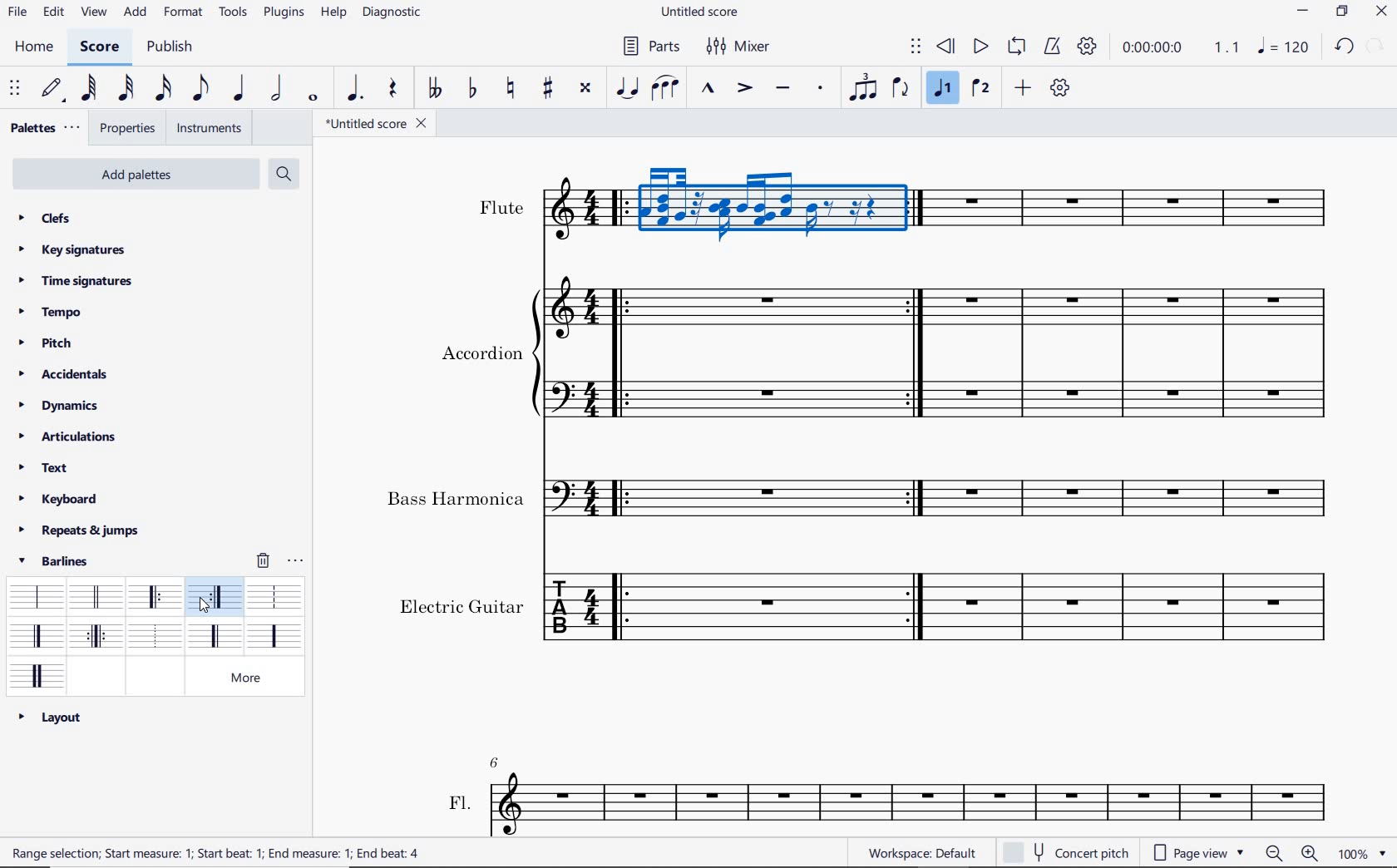 Image resolution: width=1397 pixels, height=868 pixels. What do you see at coordinates (58, 406) in the screenshot?
I see `dynamics` at bounding box center [58, 406].